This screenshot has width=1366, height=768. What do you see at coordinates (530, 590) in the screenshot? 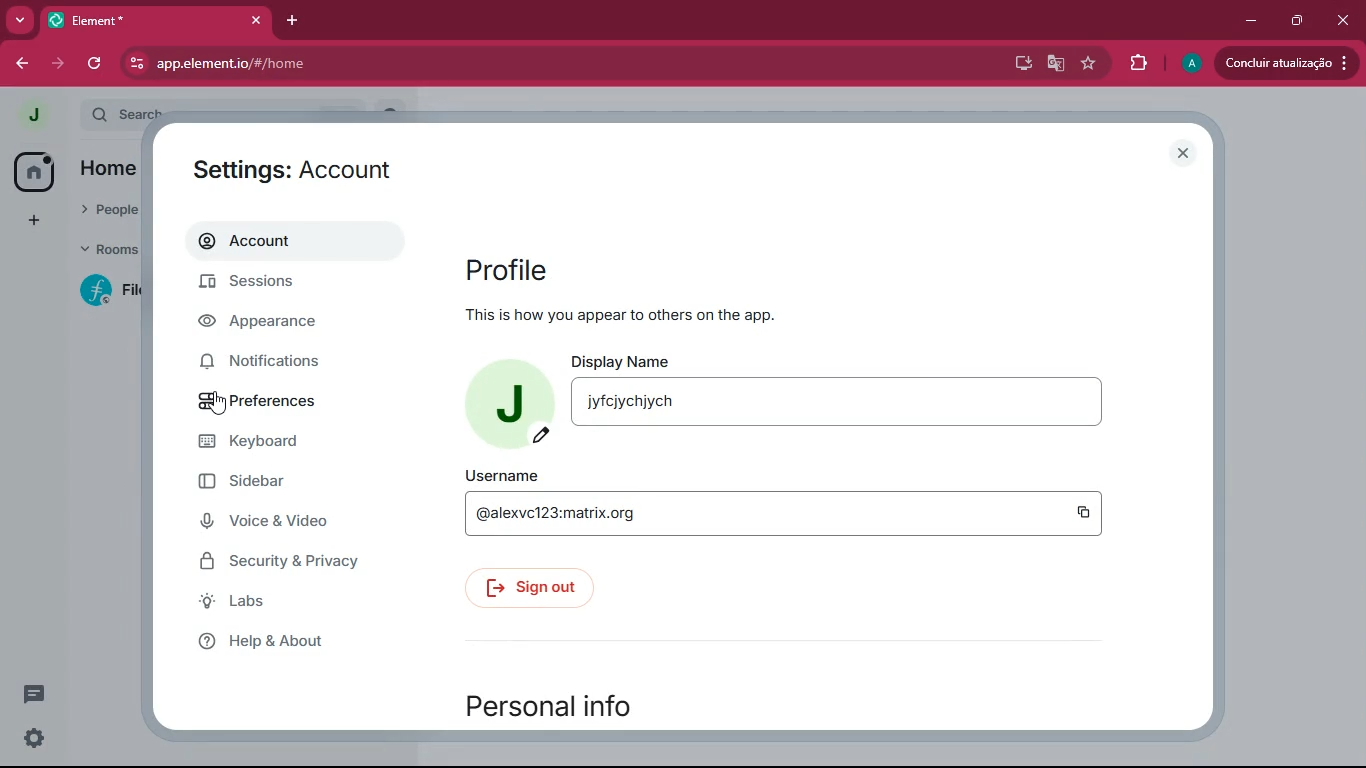
I see `sign out` at bounding box center [530, 590].